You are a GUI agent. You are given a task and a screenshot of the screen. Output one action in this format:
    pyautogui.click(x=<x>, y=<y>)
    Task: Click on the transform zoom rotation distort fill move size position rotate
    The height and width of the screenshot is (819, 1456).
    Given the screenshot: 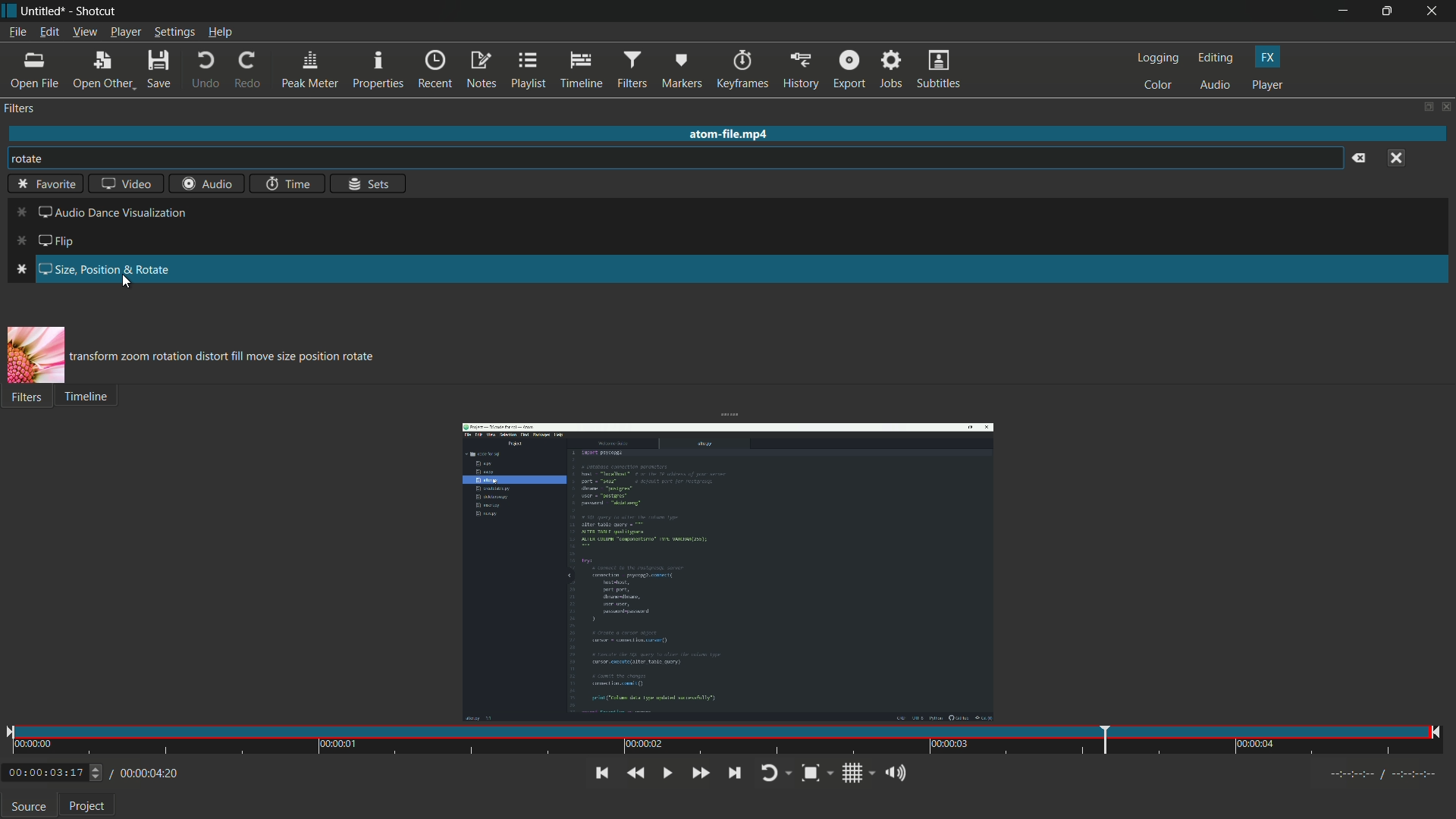 What is the action you would take?
    pyautogui.click(x=235, y=356)
    